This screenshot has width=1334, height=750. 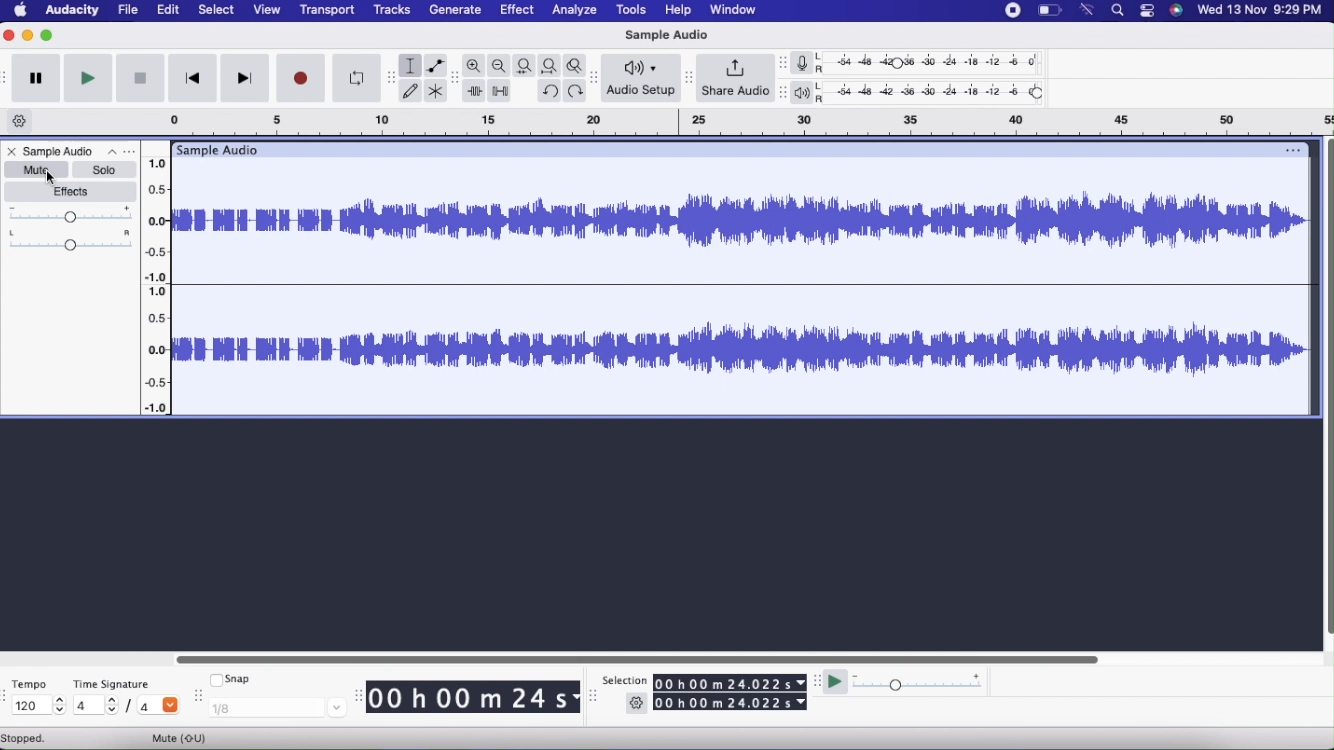 What do you see at coordinates (637, 705) in the screenshot?
I see `Settings` at bounding box center [637, 705].